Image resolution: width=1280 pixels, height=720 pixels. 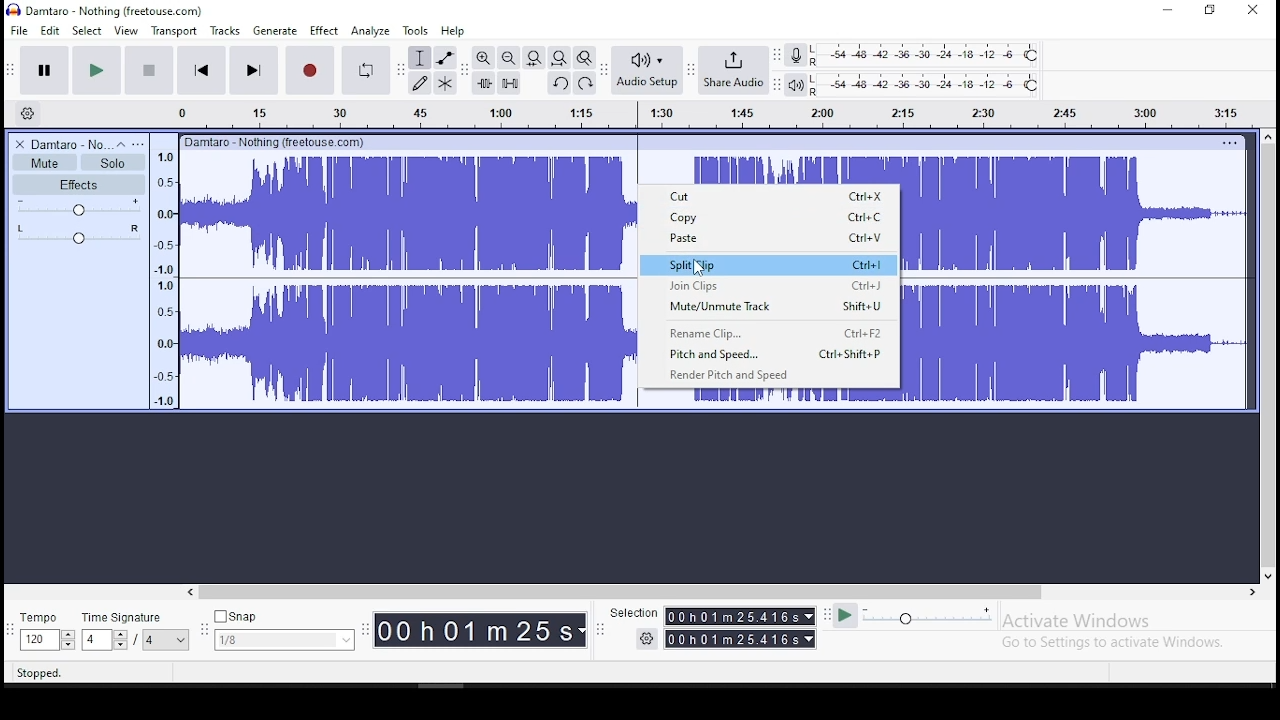 I want to click on close window, so click(x=1254, y=11).